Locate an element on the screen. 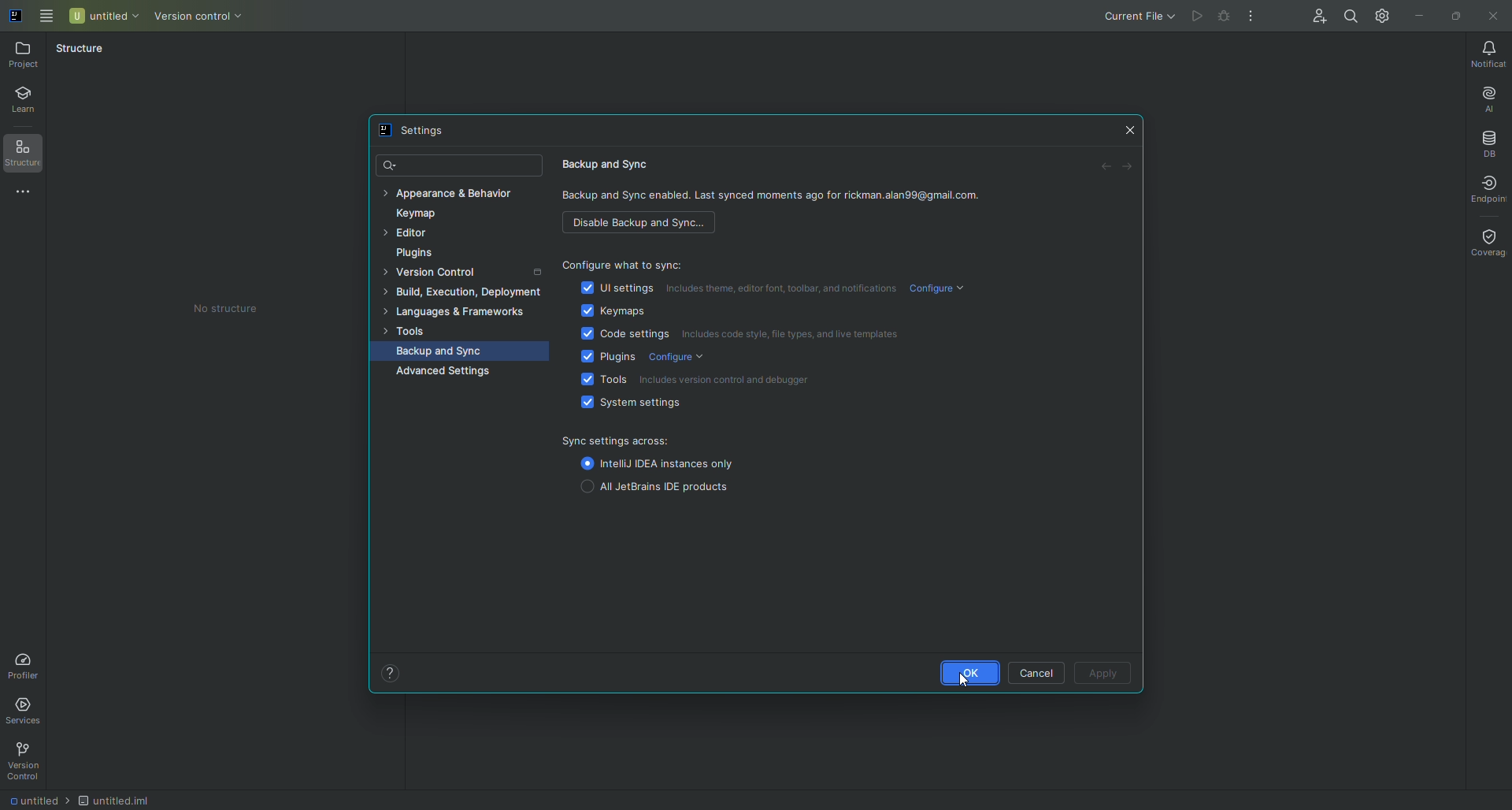  Back is located at coordinates (1102, 169).